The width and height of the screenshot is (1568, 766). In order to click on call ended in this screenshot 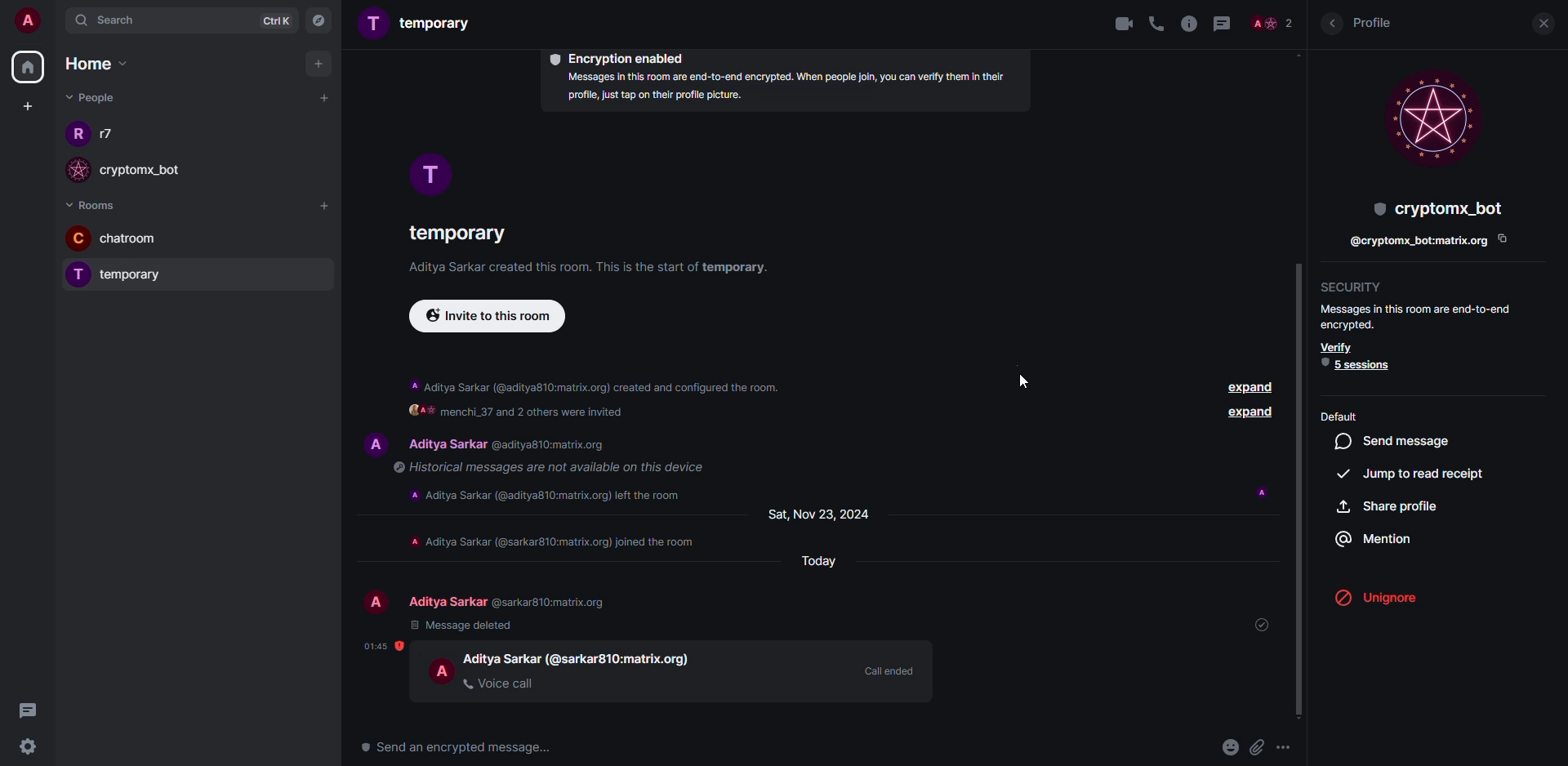, I will do `click(888, 670)`.